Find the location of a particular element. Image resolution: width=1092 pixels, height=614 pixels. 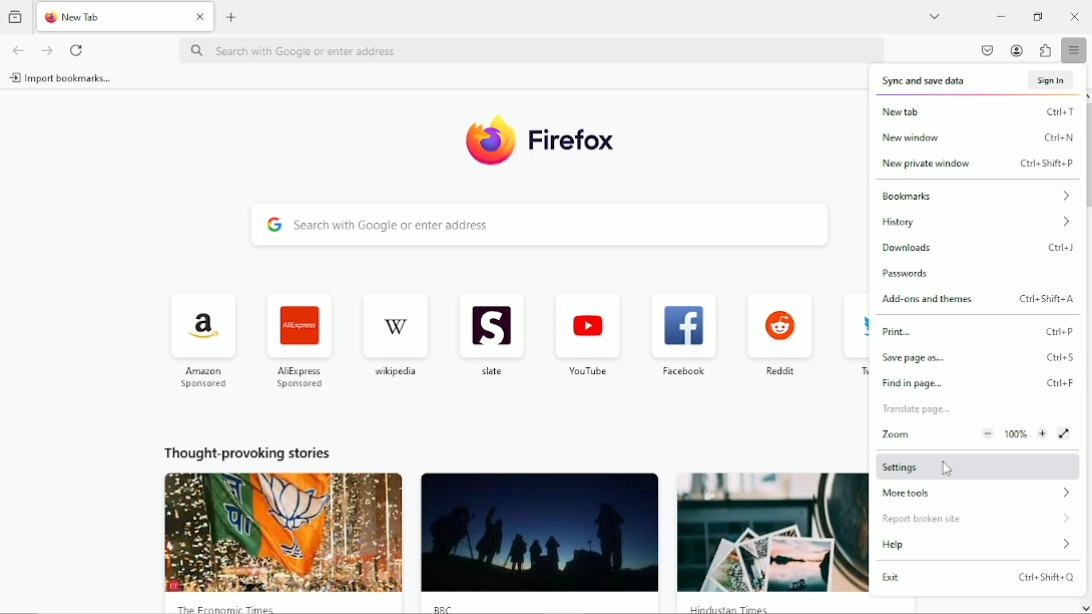

report broken site is located at coordinates (978, 520).